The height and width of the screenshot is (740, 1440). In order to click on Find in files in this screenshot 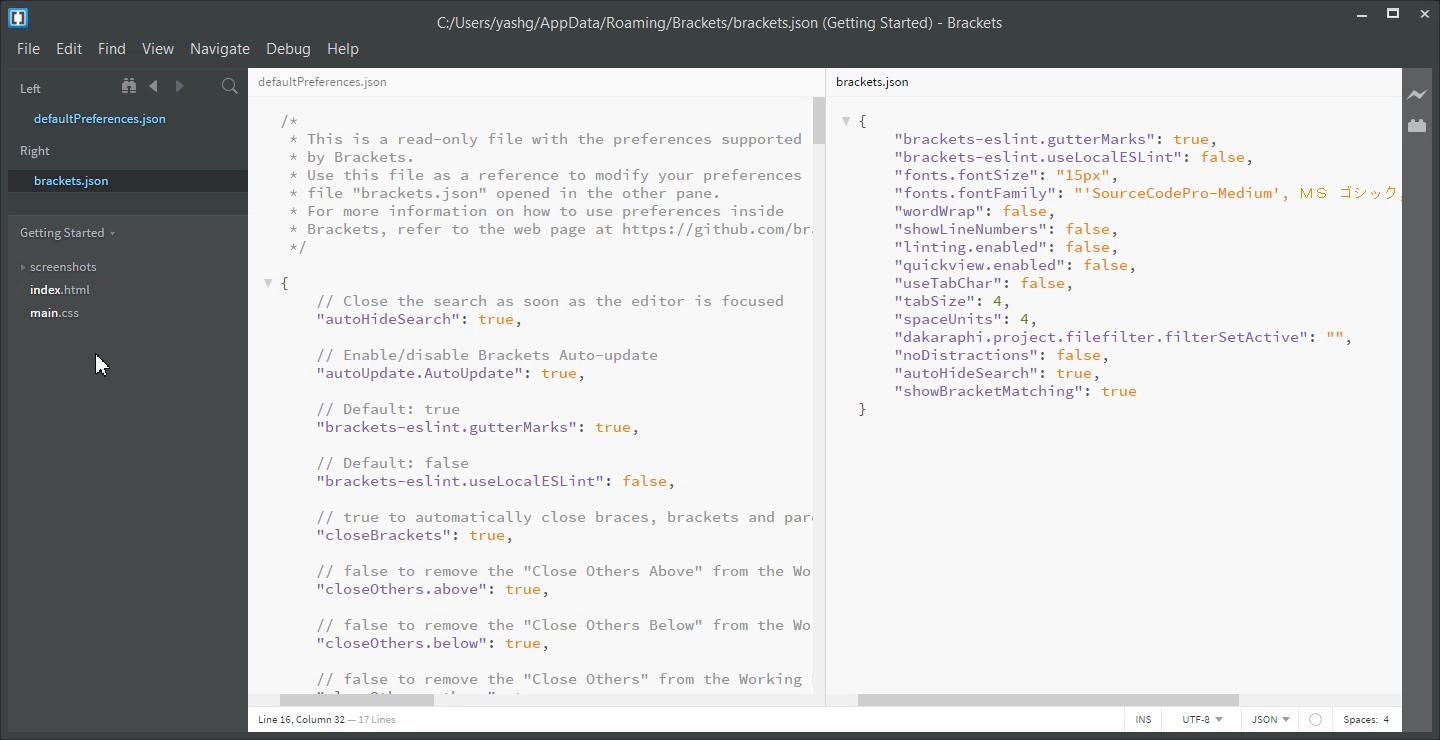, I will do `click(231, 86)`.